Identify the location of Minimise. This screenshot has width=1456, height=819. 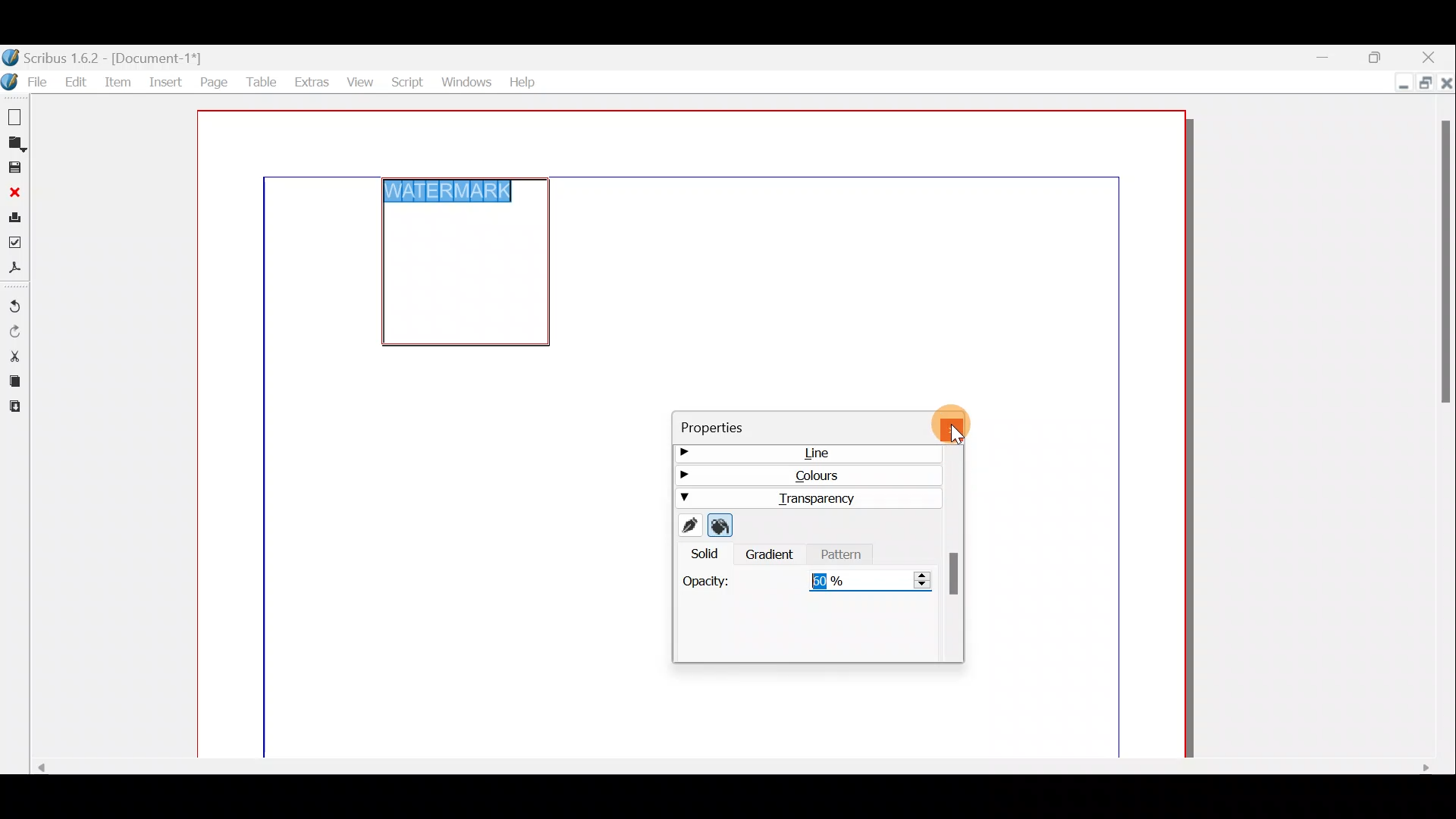
(1399, 83).